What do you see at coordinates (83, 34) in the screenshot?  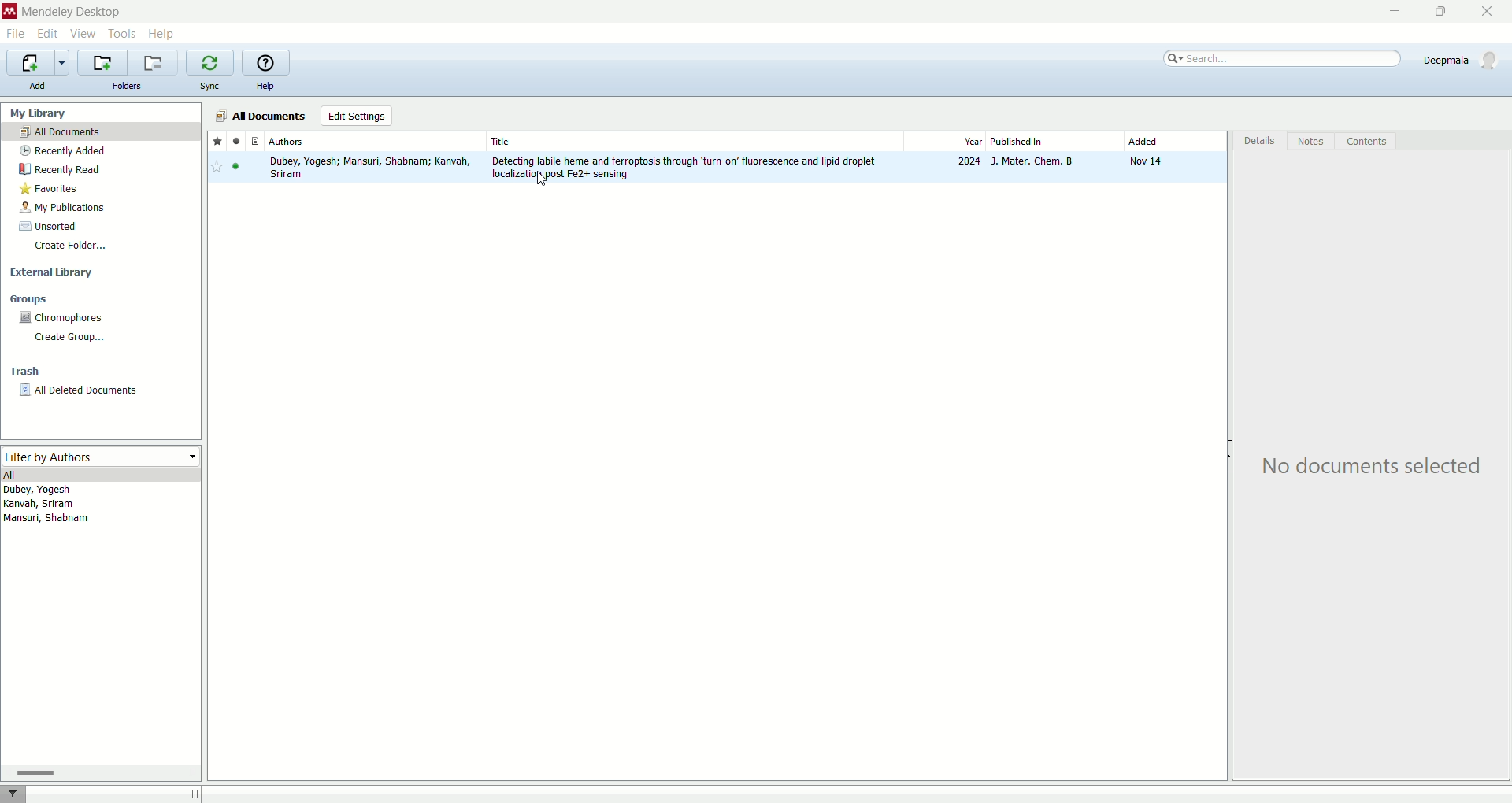 I see `view` at bounding box center [83, 34].